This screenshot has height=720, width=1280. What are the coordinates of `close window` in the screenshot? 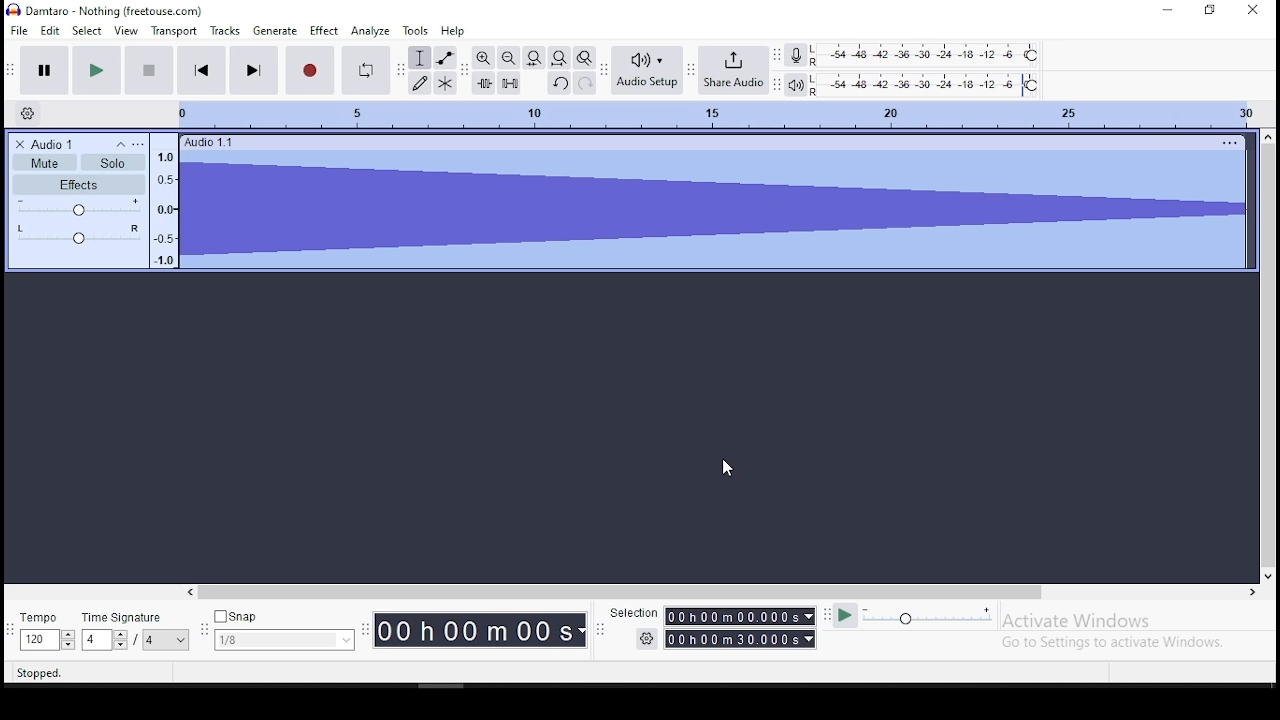 It's located at (1253, 9).